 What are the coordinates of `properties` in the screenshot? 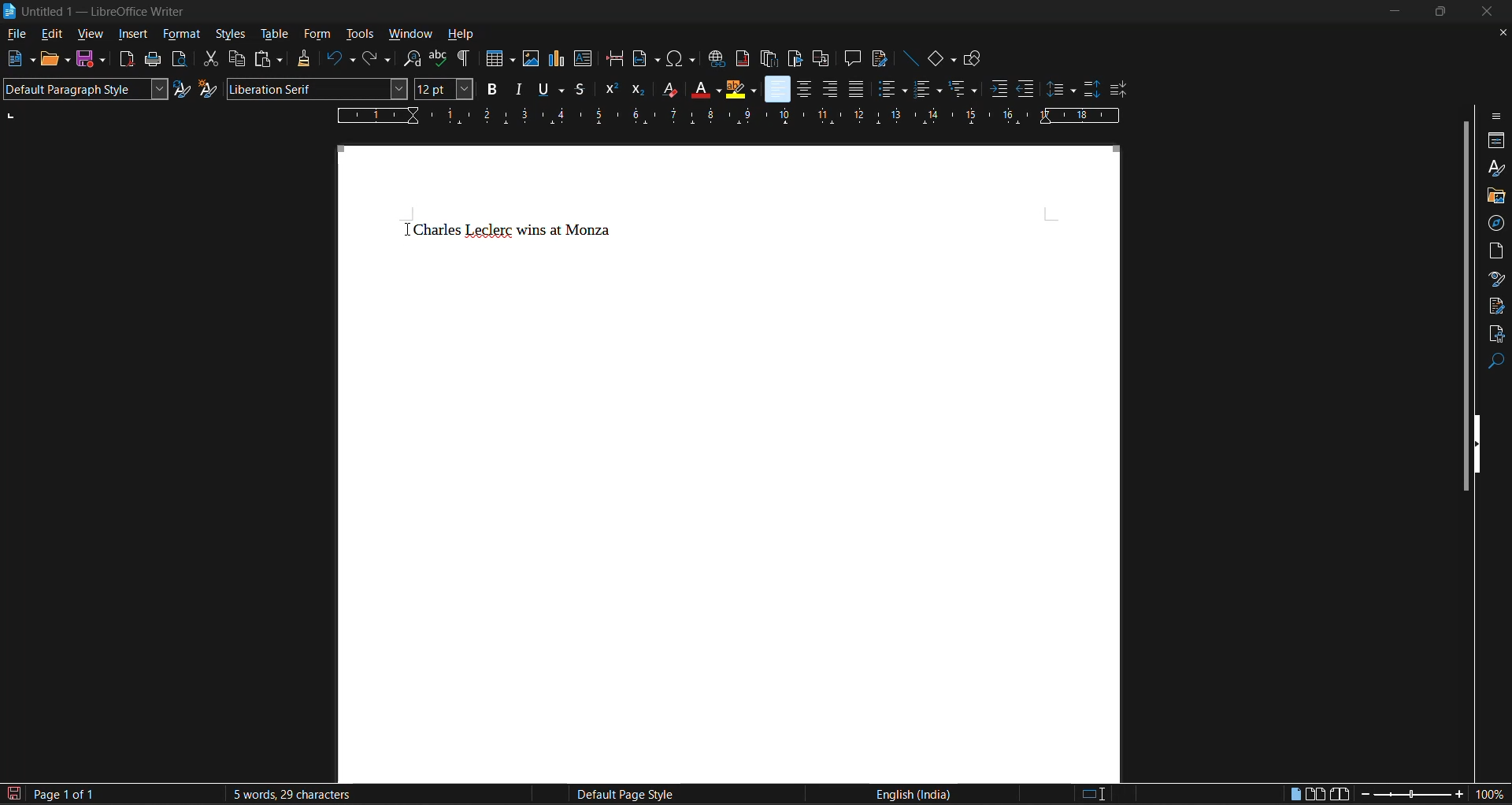 It's located at (1496, 141).